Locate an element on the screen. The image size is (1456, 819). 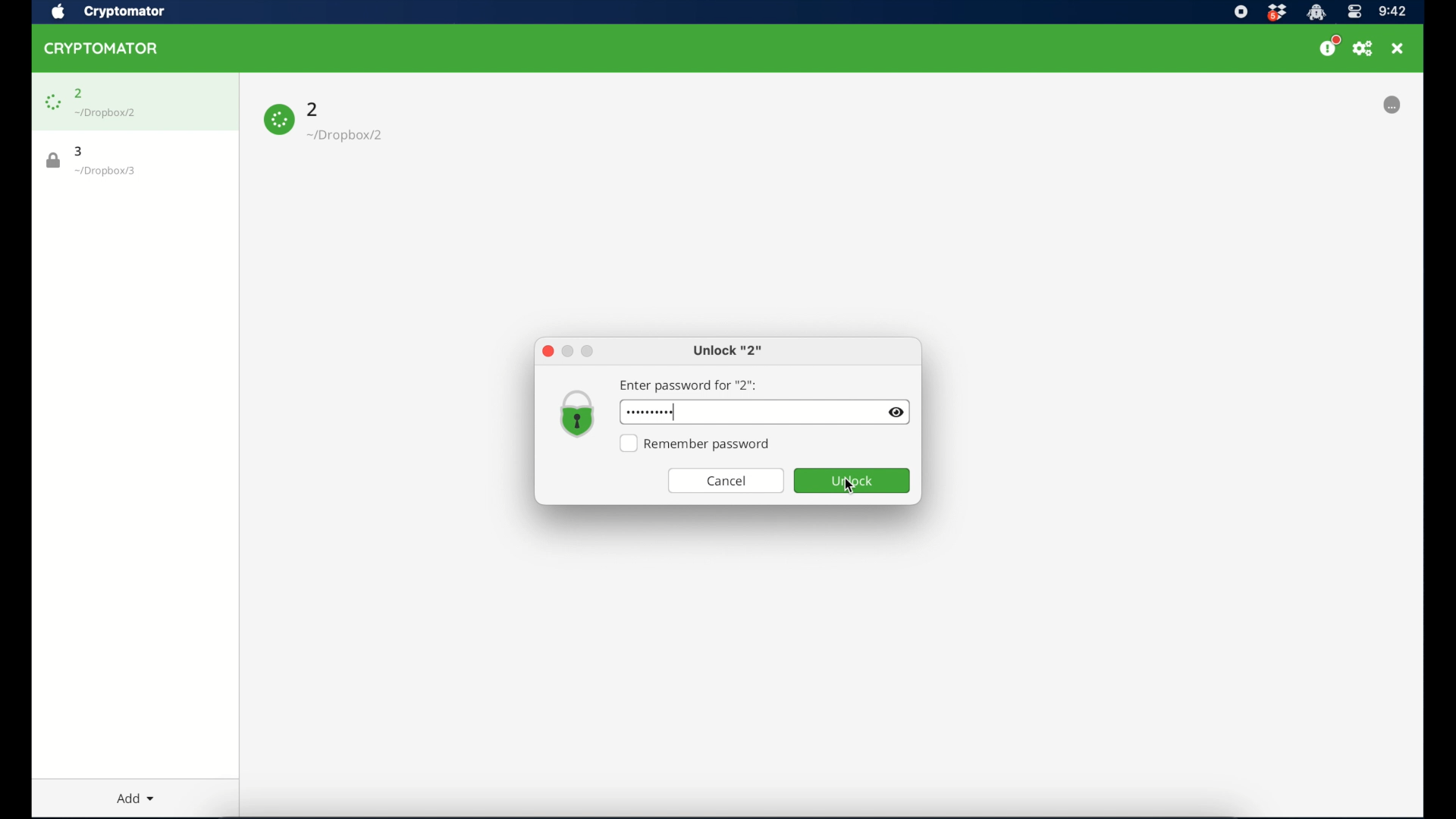
loading icon is located at coordinates (279, 120).